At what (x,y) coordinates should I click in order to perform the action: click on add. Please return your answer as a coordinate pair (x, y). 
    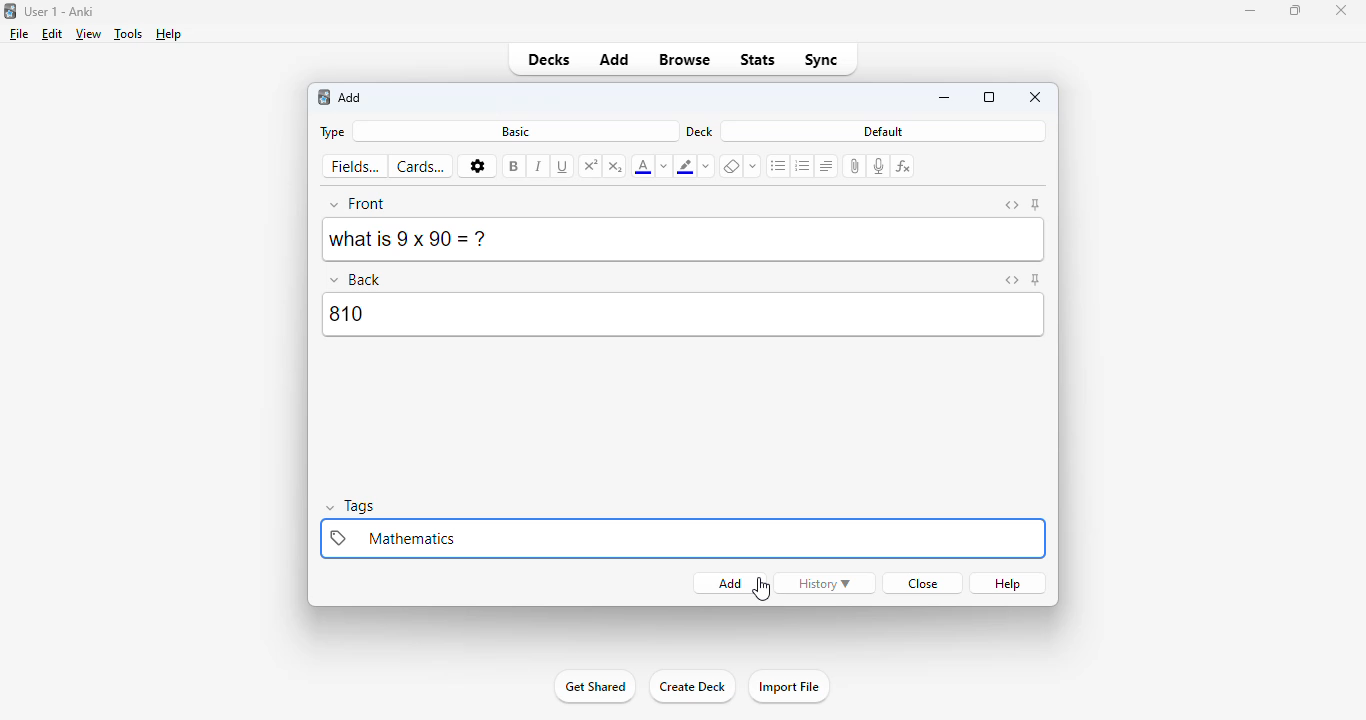
    Looking at the image, I should click on (723, 583).